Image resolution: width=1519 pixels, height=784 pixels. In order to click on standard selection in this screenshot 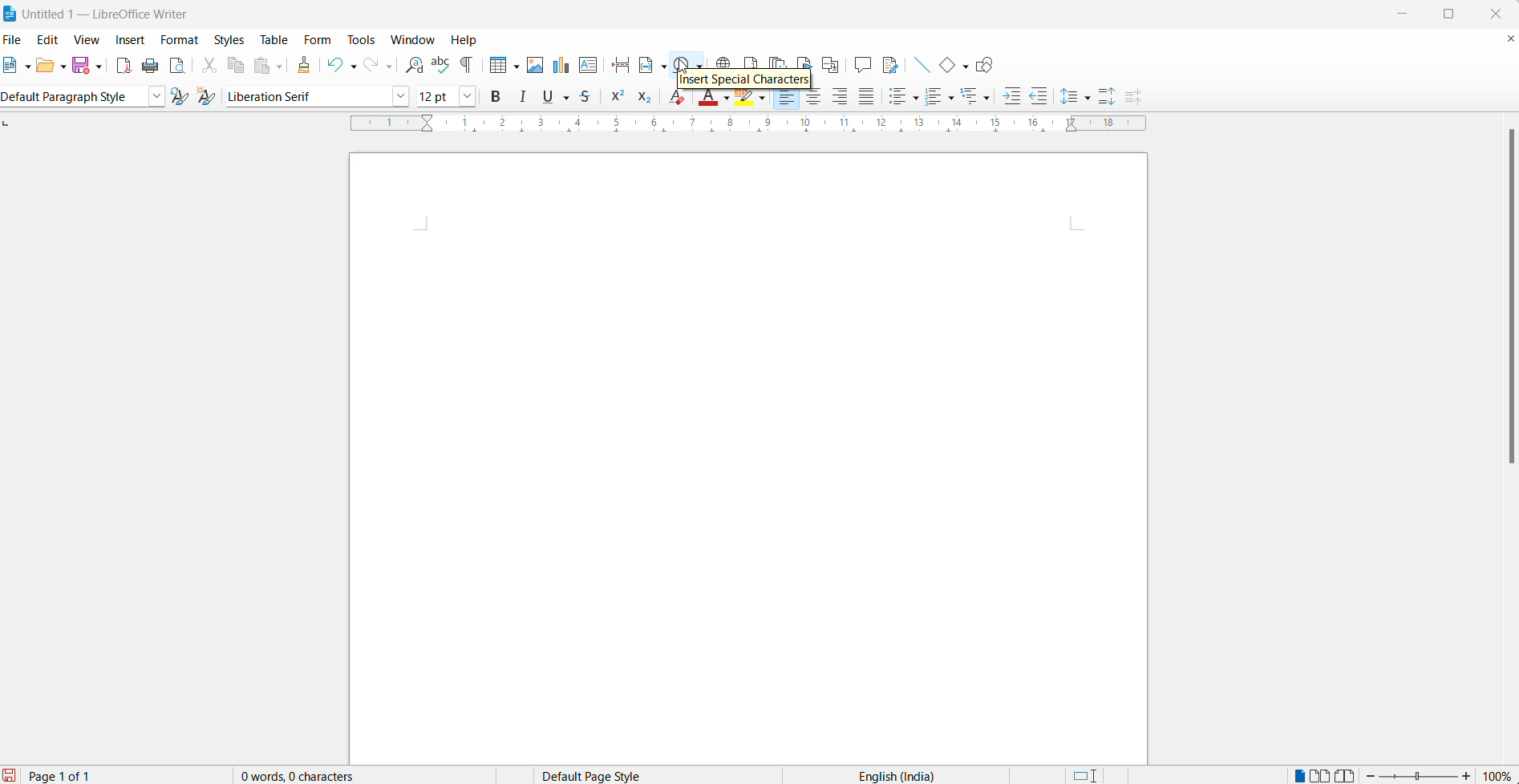, I will do `click(1088, 775)`.